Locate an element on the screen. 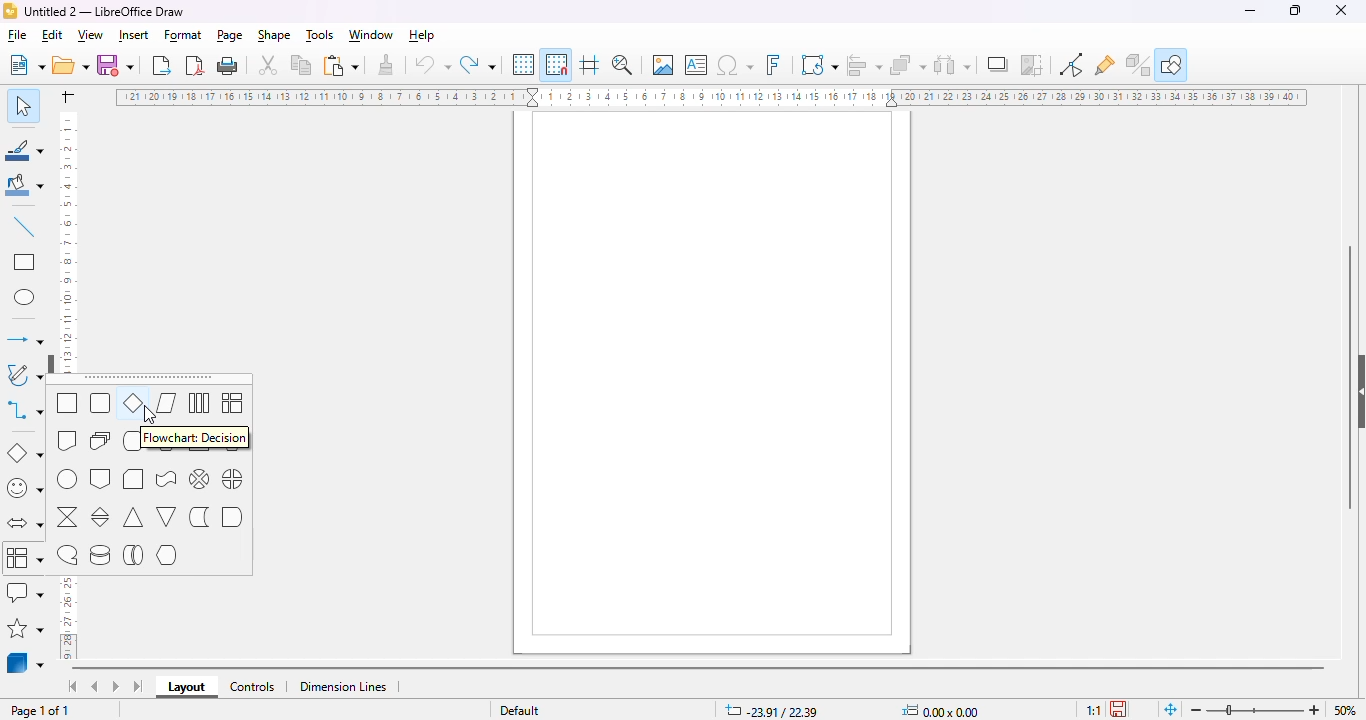 Image resolution: width=1366 pixels, height=720 pixels. ruler is located at coordinates (710, 96).